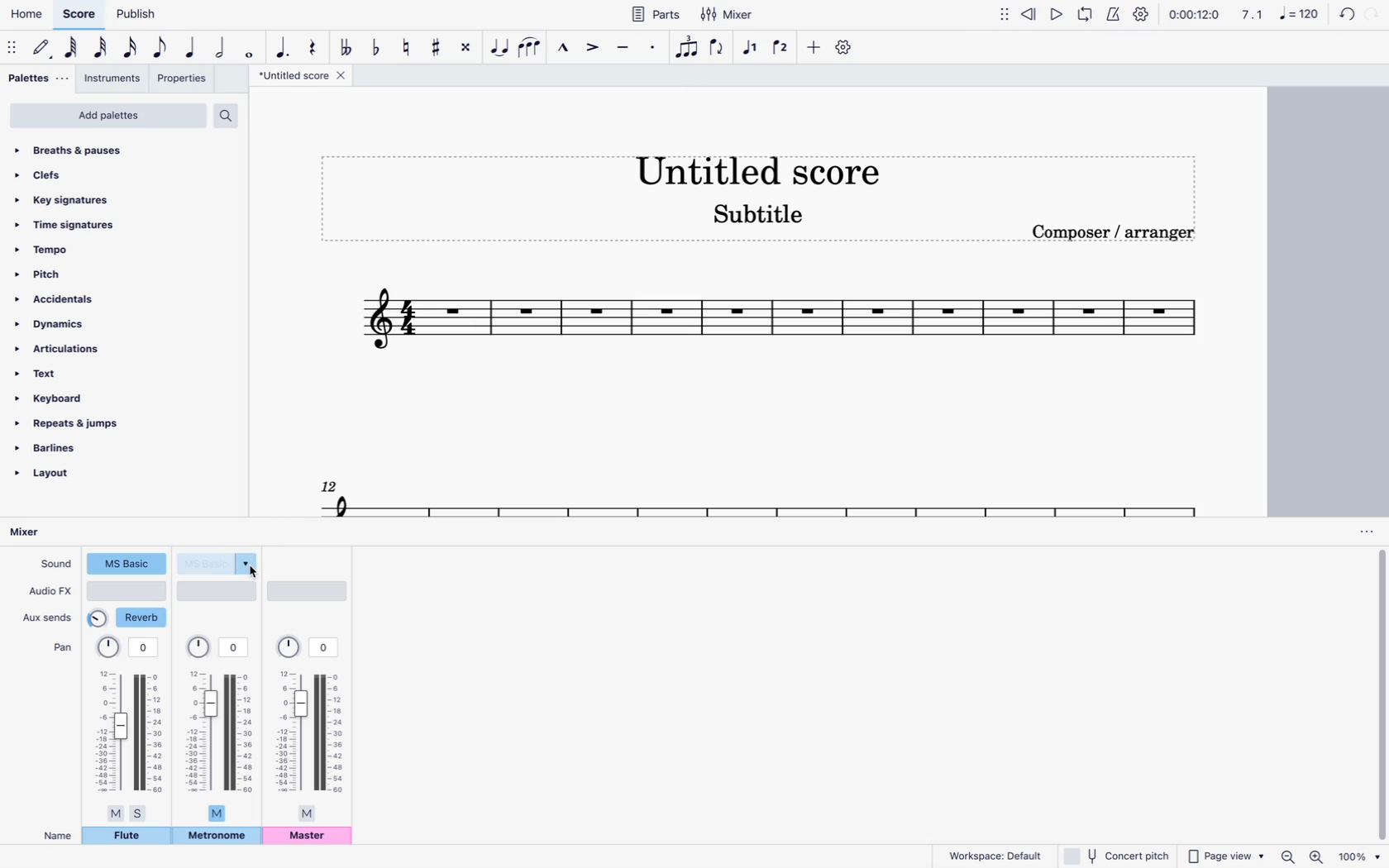 The width and height of the screenshot is (1389, 868). I want to click on flip direction, so click(719, 50).